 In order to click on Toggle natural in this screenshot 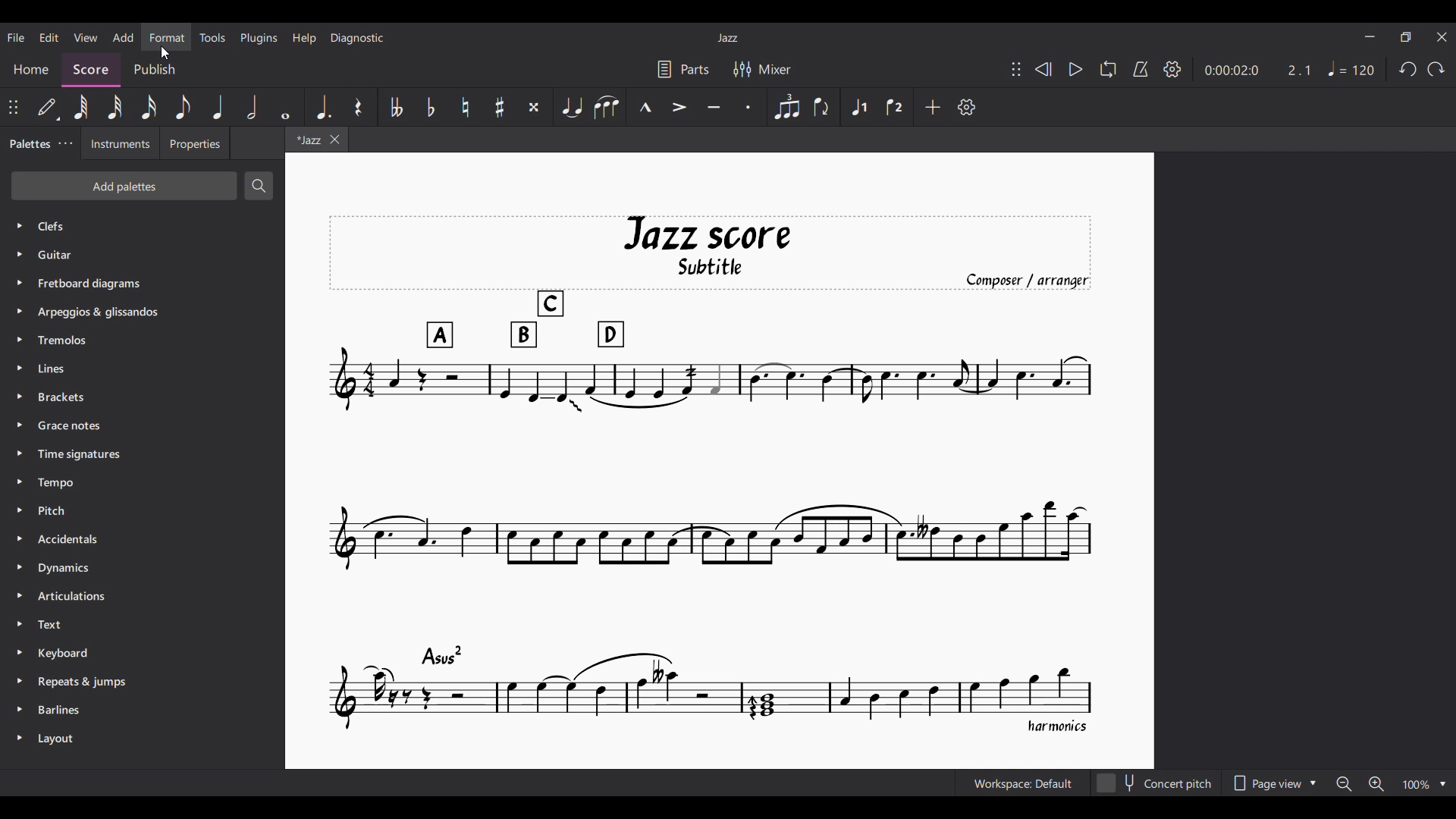, I will do `click(466, 107)`.